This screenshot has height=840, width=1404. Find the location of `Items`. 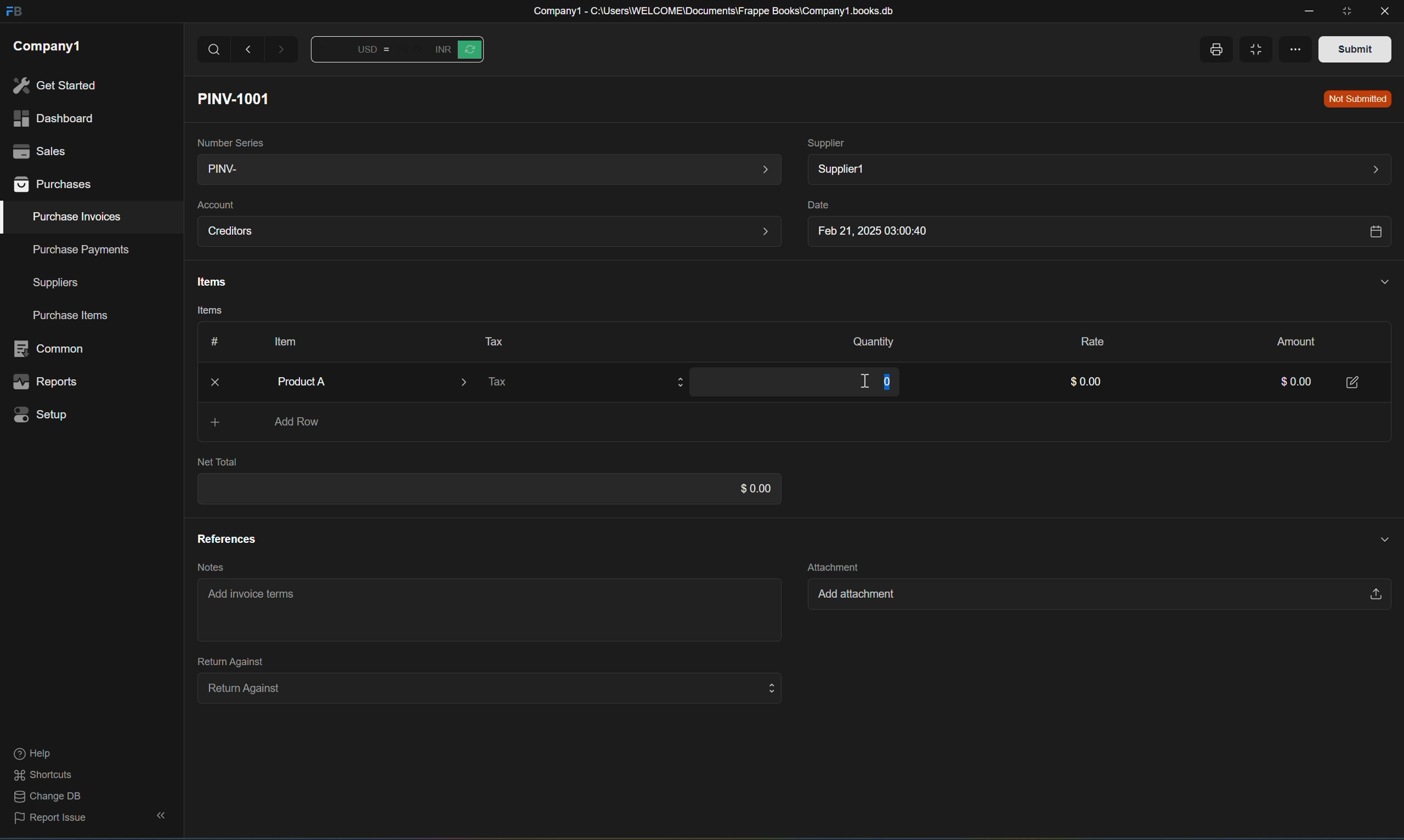

Items is located at coordinates (208, 282).